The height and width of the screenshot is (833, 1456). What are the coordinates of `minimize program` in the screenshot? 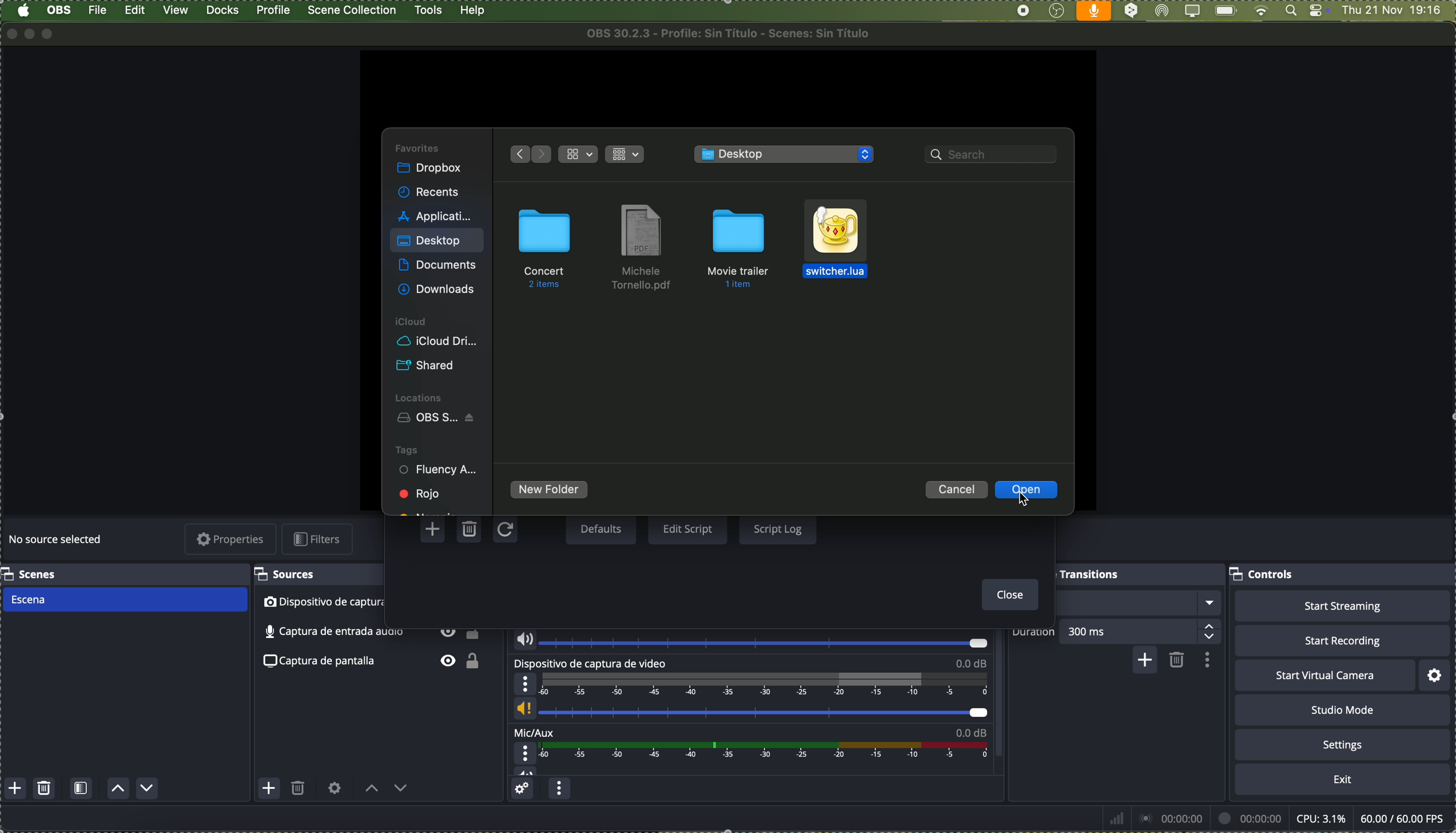 It's located at (30, 33).